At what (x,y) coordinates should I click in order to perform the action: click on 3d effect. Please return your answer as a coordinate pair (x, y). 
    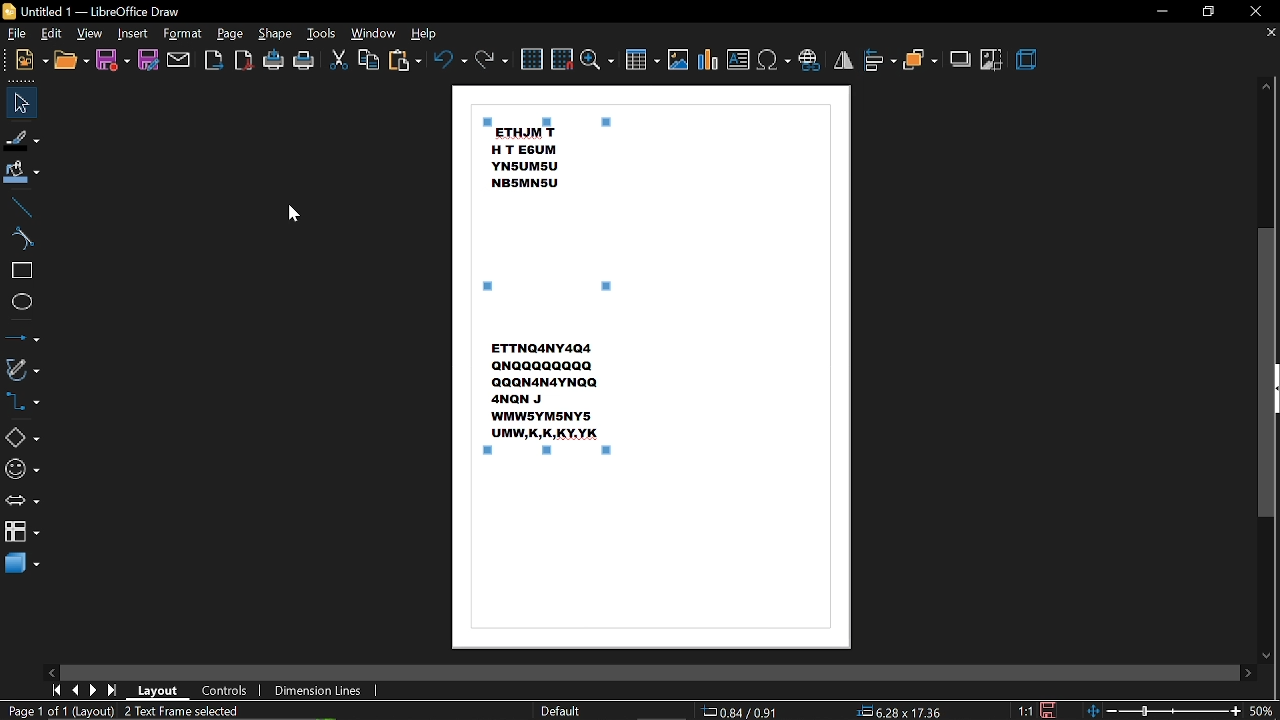
    Looking at the image, I should click on (1029, 61).